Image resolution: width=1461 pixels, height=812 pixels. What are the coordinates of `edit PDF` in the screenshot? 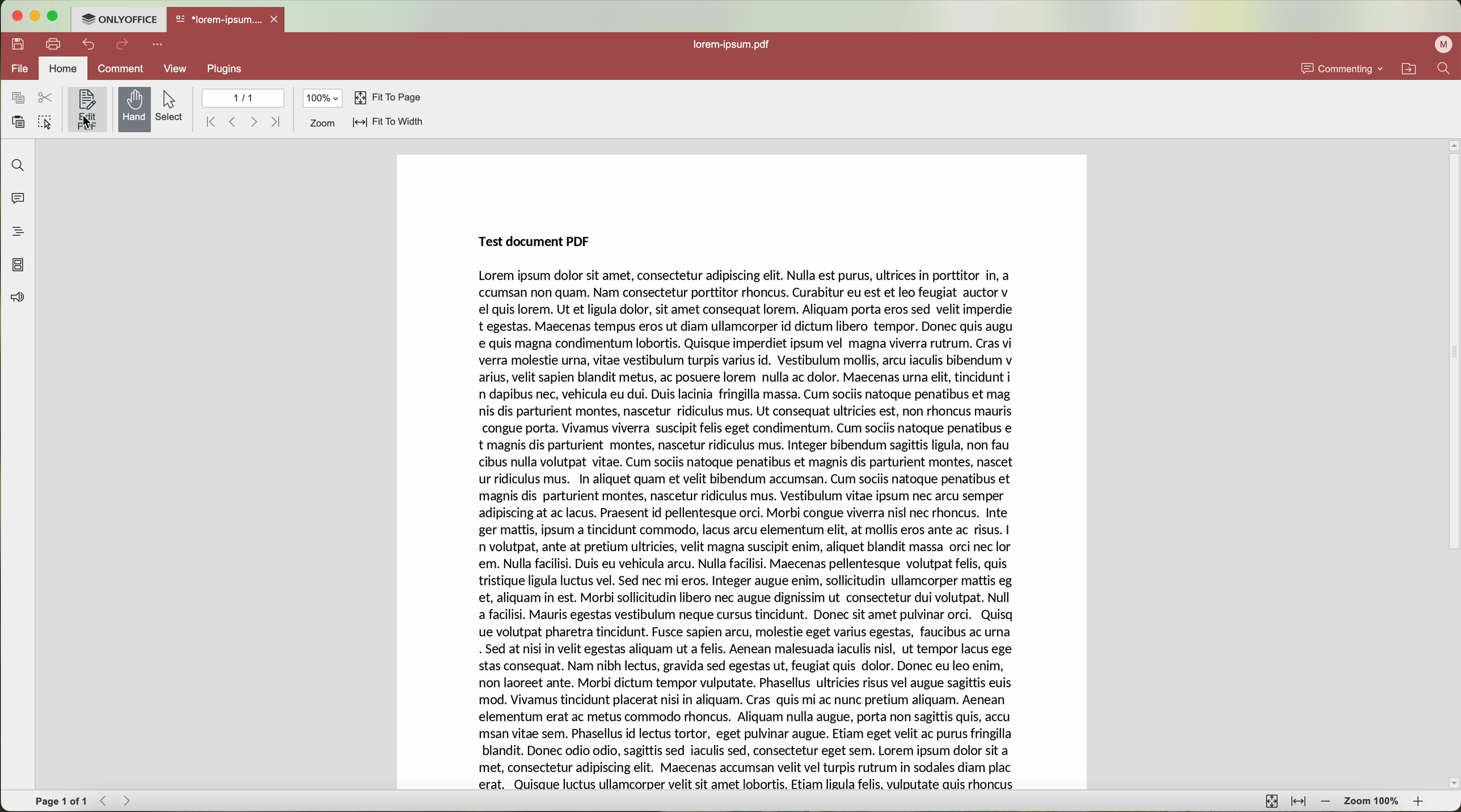 It's located at (90, 107).